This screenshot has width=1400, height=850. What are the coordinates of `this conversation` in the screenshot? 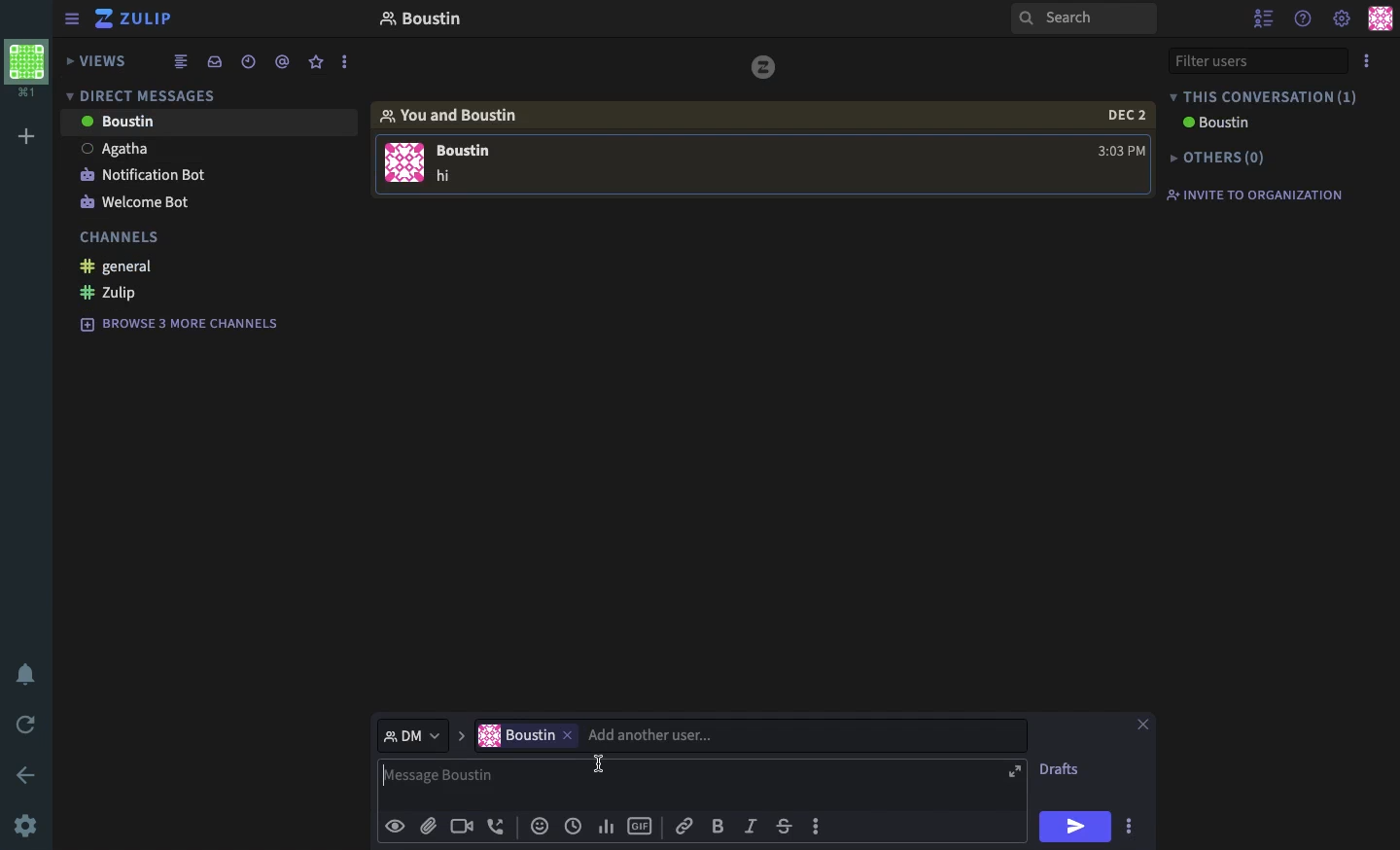 It's located at (1267, 96).